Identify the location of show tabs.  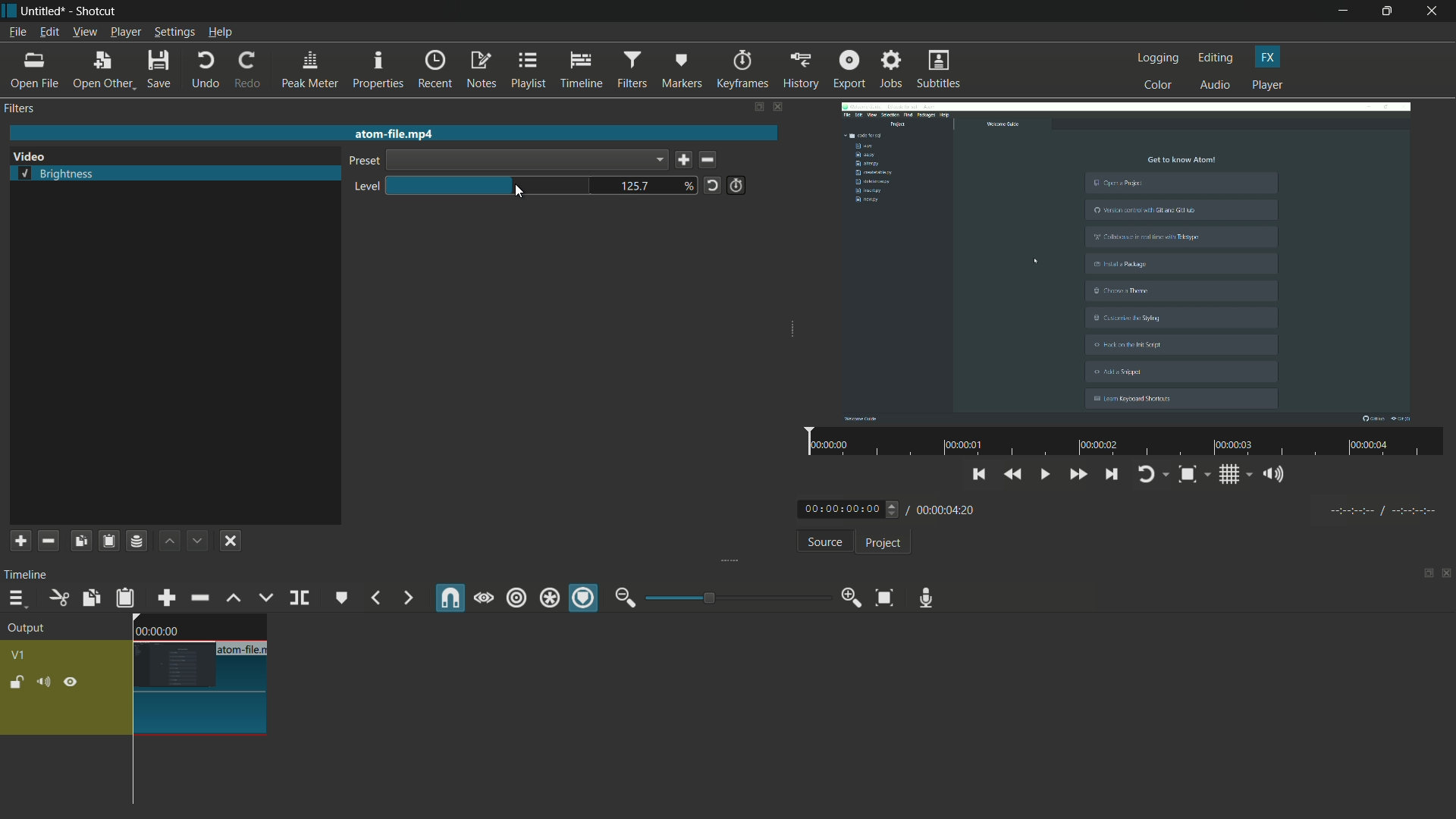
(1423, 575).